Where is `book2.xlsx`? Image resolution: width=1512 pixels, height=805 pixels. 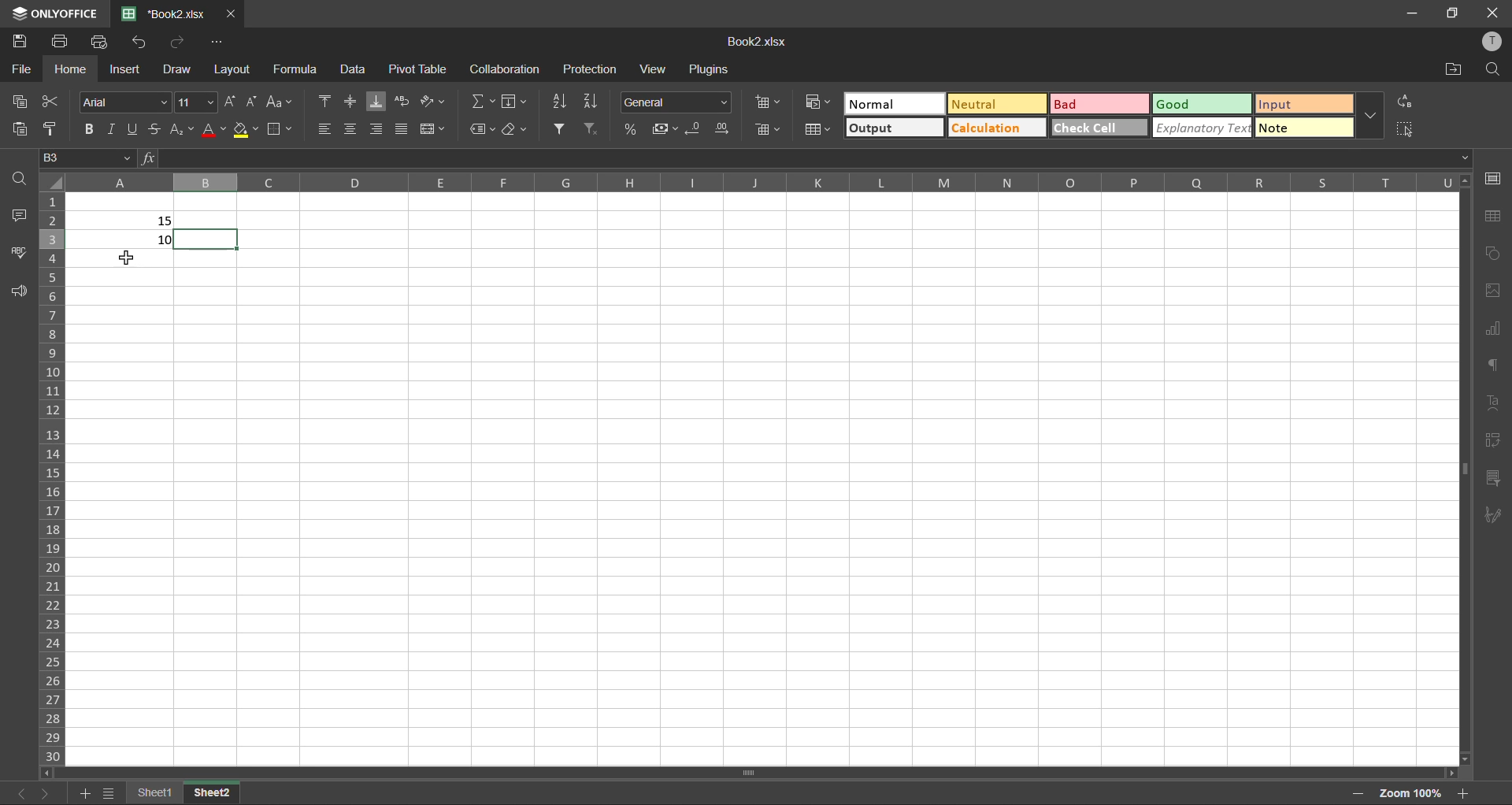 book2.xlsx is located at coordinates (159, 13).